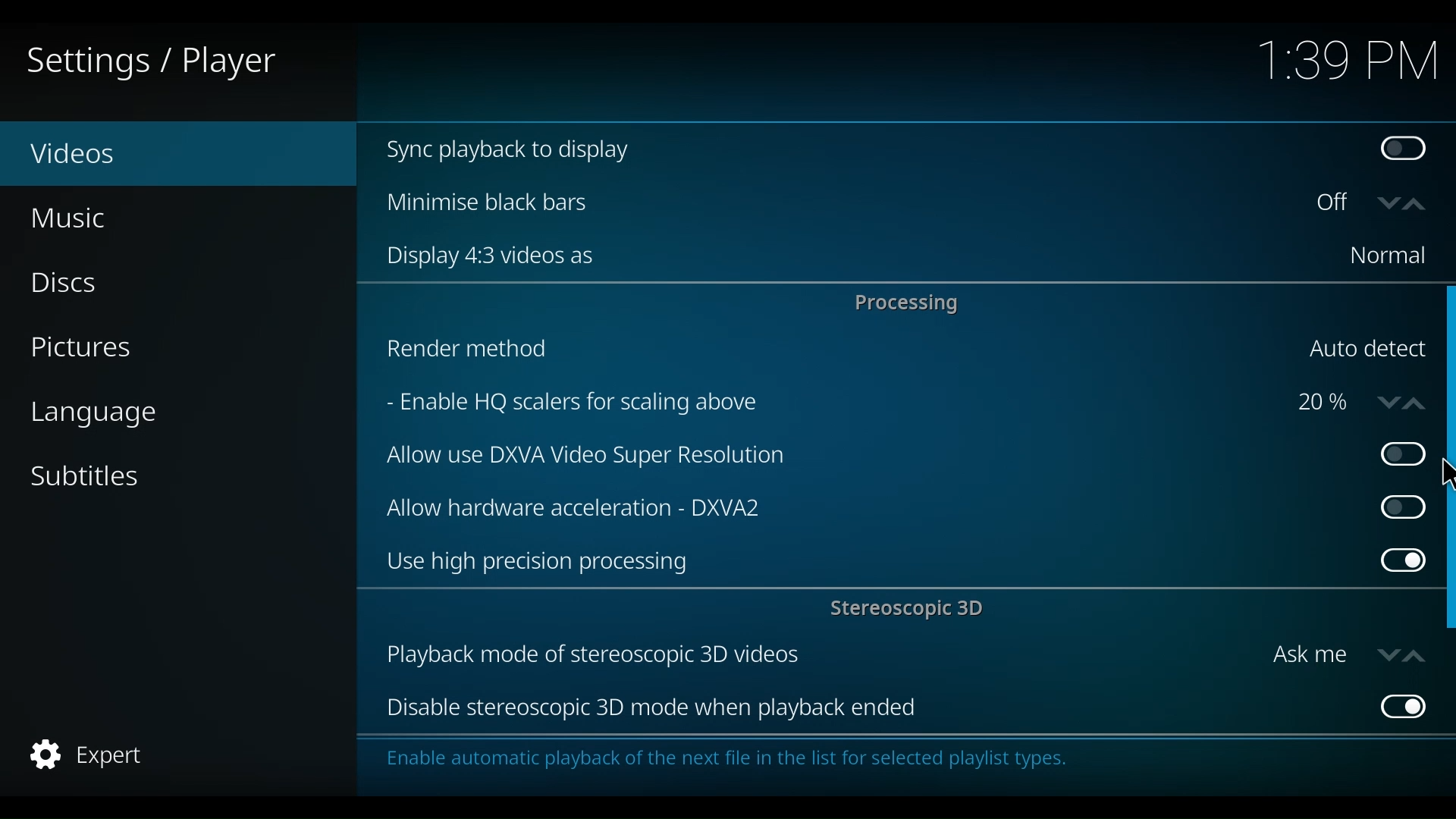  Describe the element at coordinates (1366, 350) in the screenshot. I see `Auto detect` at that location.